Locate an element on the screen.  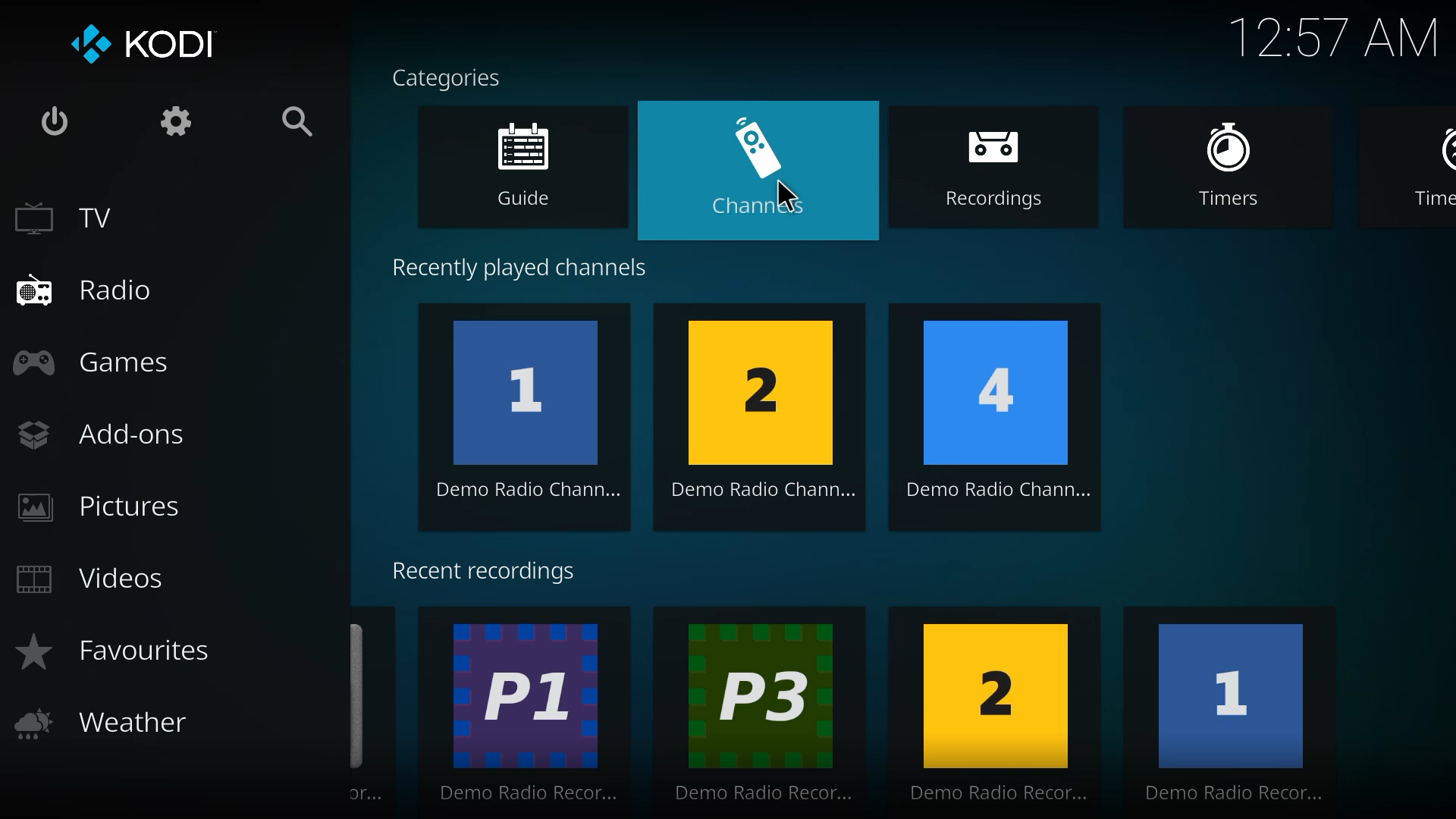
channels is located at coordinates (765, 169).